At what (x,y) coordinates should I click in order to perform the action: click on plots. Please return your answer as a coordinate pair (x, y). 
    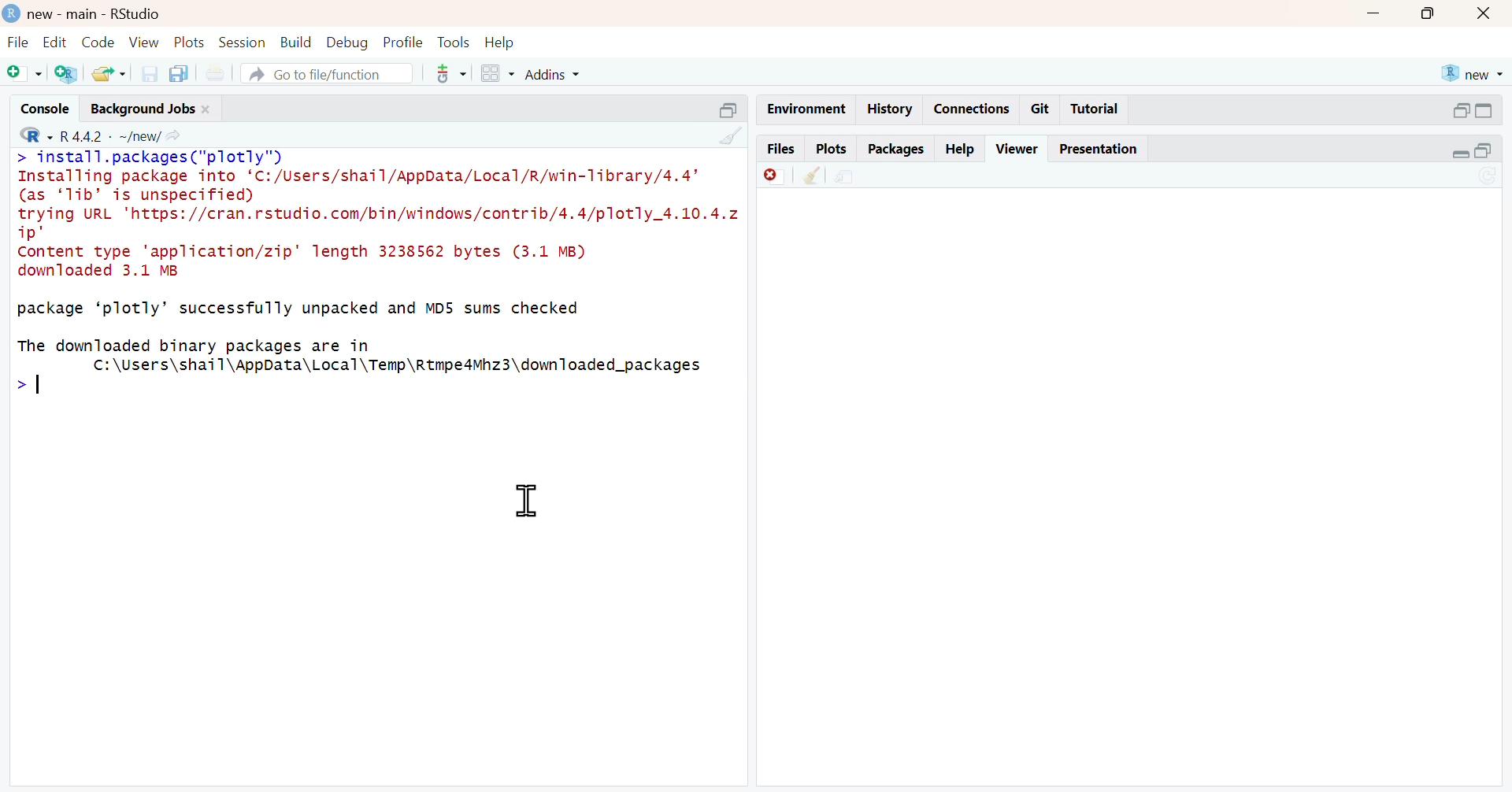
    Looking at the image, I should click on (831, 148).